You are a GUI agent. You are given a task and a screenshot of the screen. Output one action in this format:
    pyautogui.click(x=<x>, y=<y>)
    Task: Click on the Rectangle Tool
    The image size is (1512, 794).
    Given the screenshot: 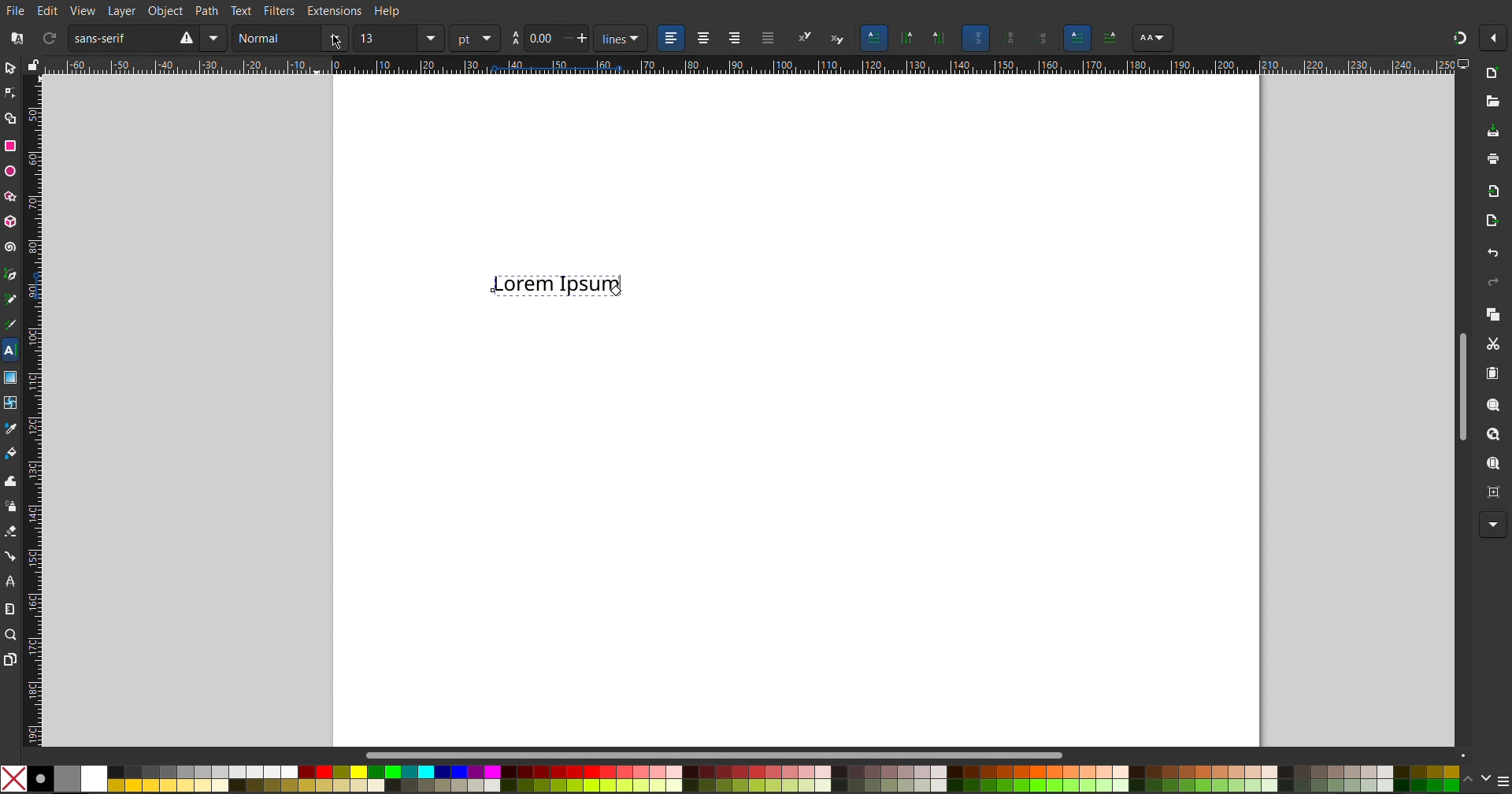 What is the action you would take?
    pyautogui.click(x=11, y=147)
    